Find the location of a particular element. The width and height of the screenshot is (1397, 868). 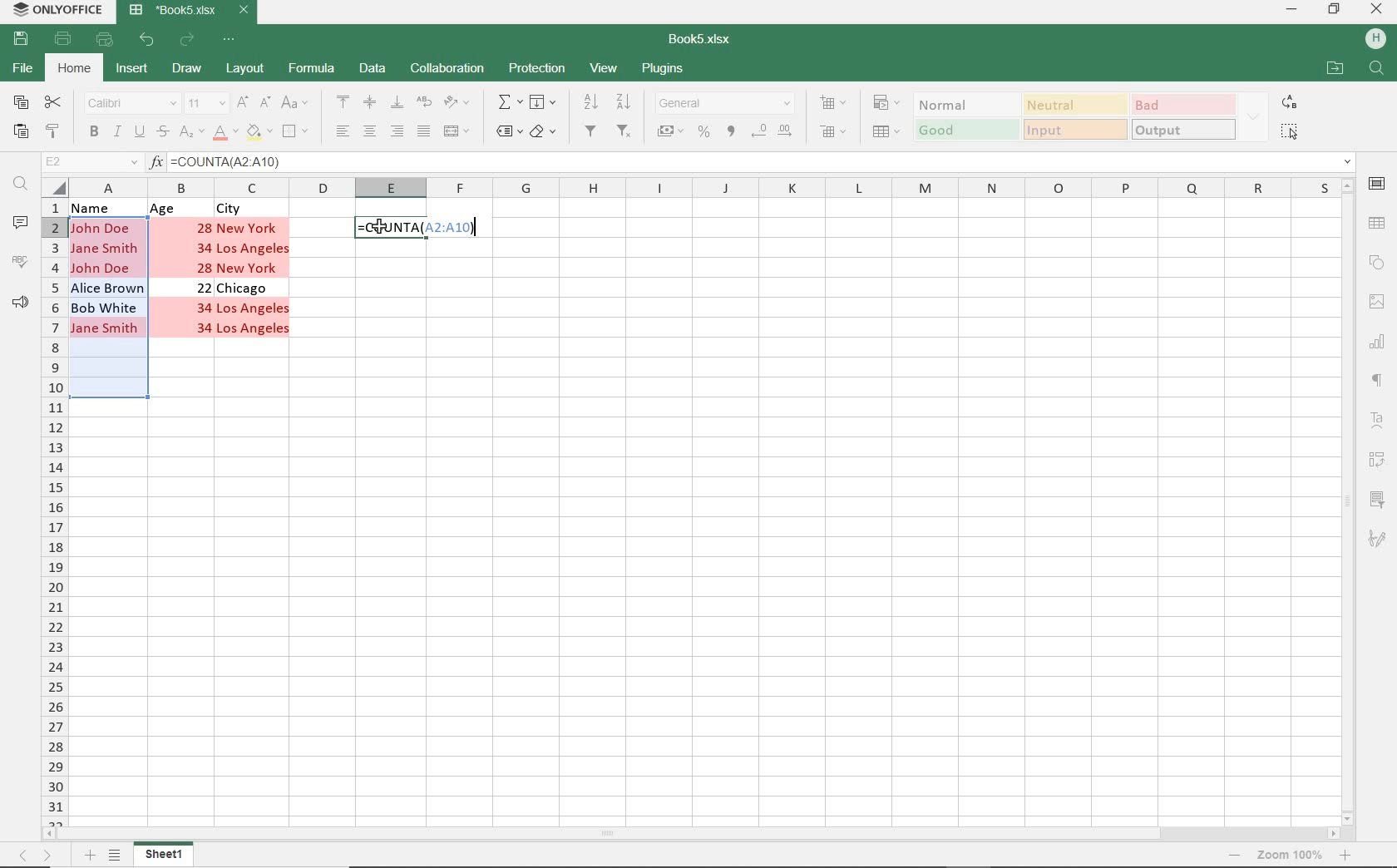

Chicago is located at coordinates (245, 289).